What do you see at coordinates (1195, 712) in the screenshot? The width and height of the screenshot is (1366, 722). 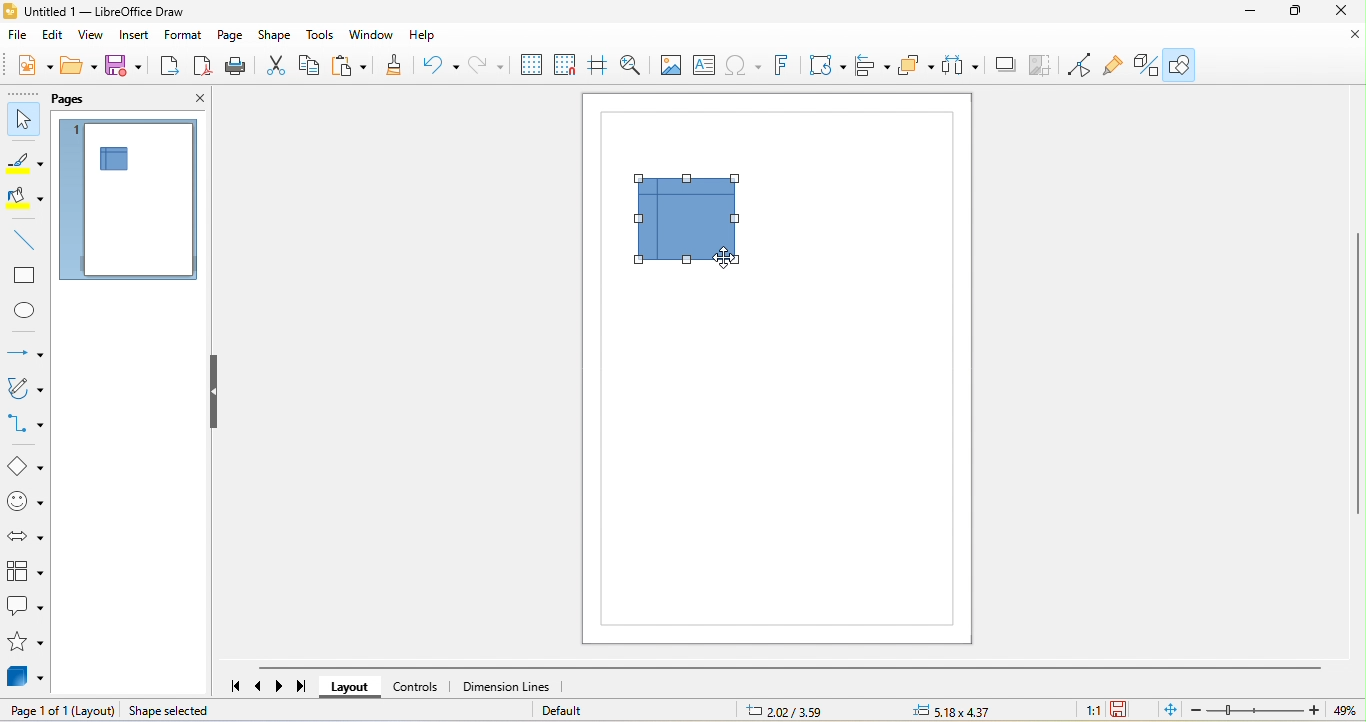 I see `zoom out` at bounding box center [1195, 712].